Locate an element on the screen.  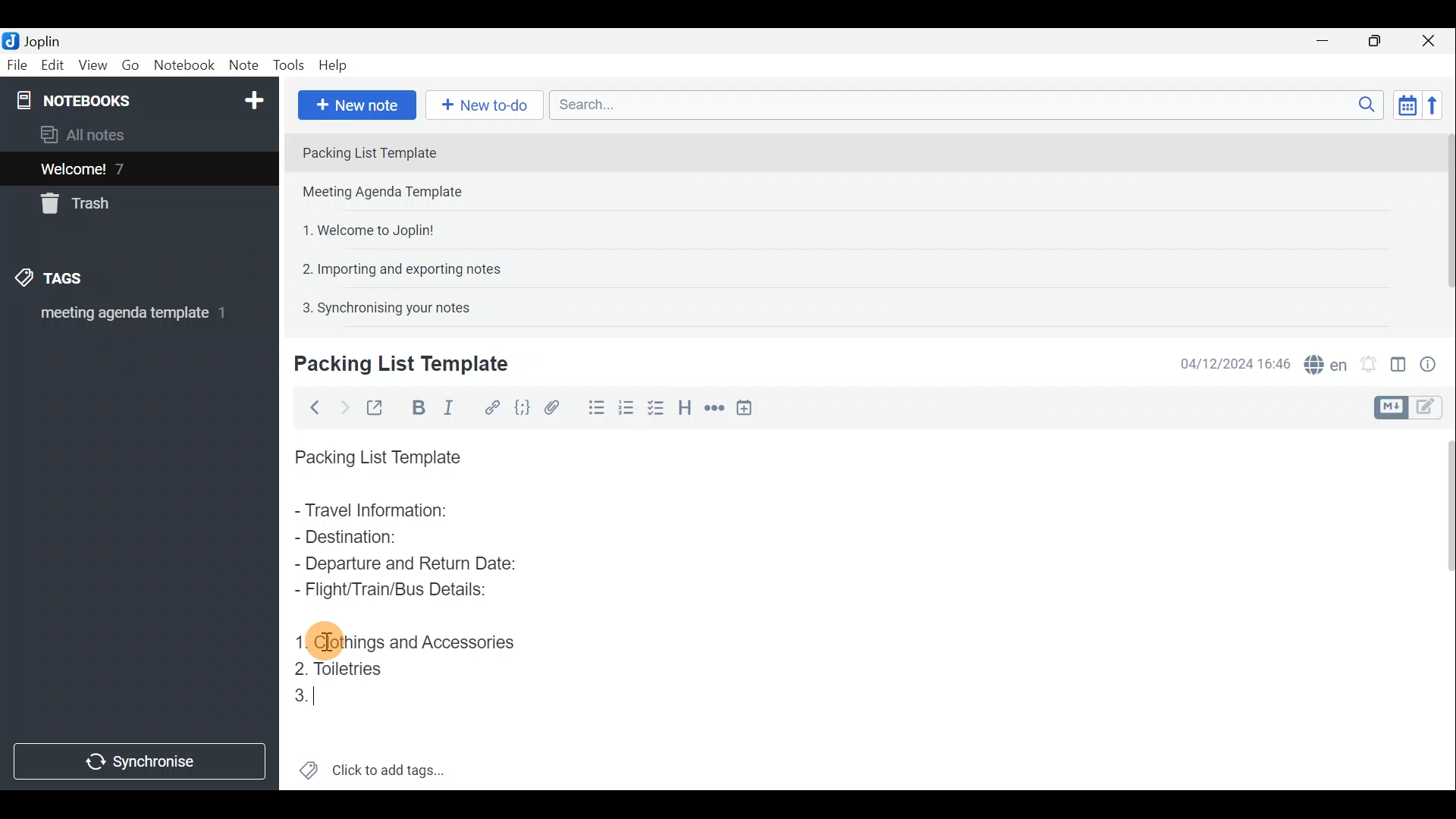
Bulleted list is located at coordinates (591, 410).